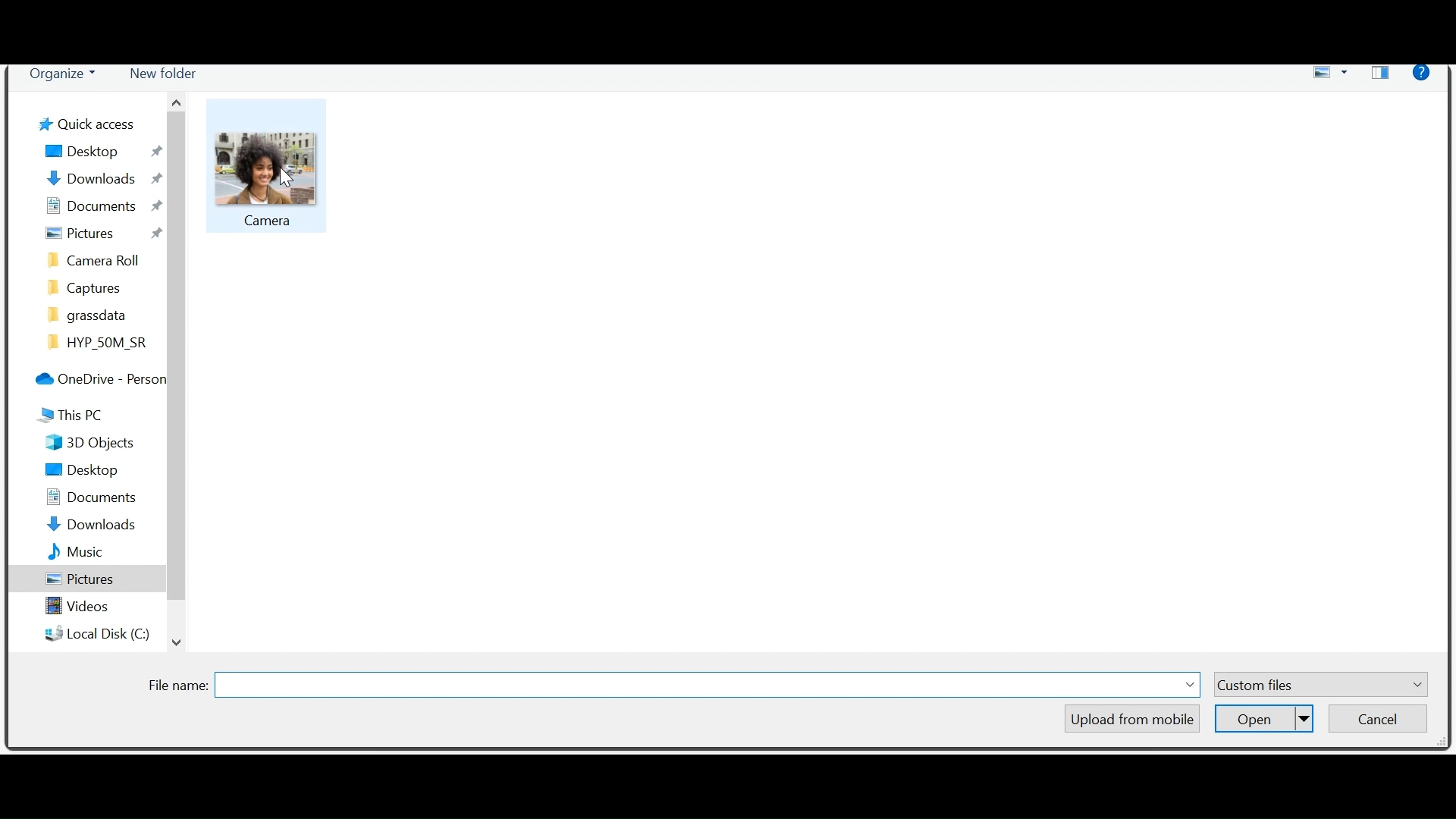 This screenshot has height=819, width=1456. I want to click on Upload from mobile, so click(1131, 717).